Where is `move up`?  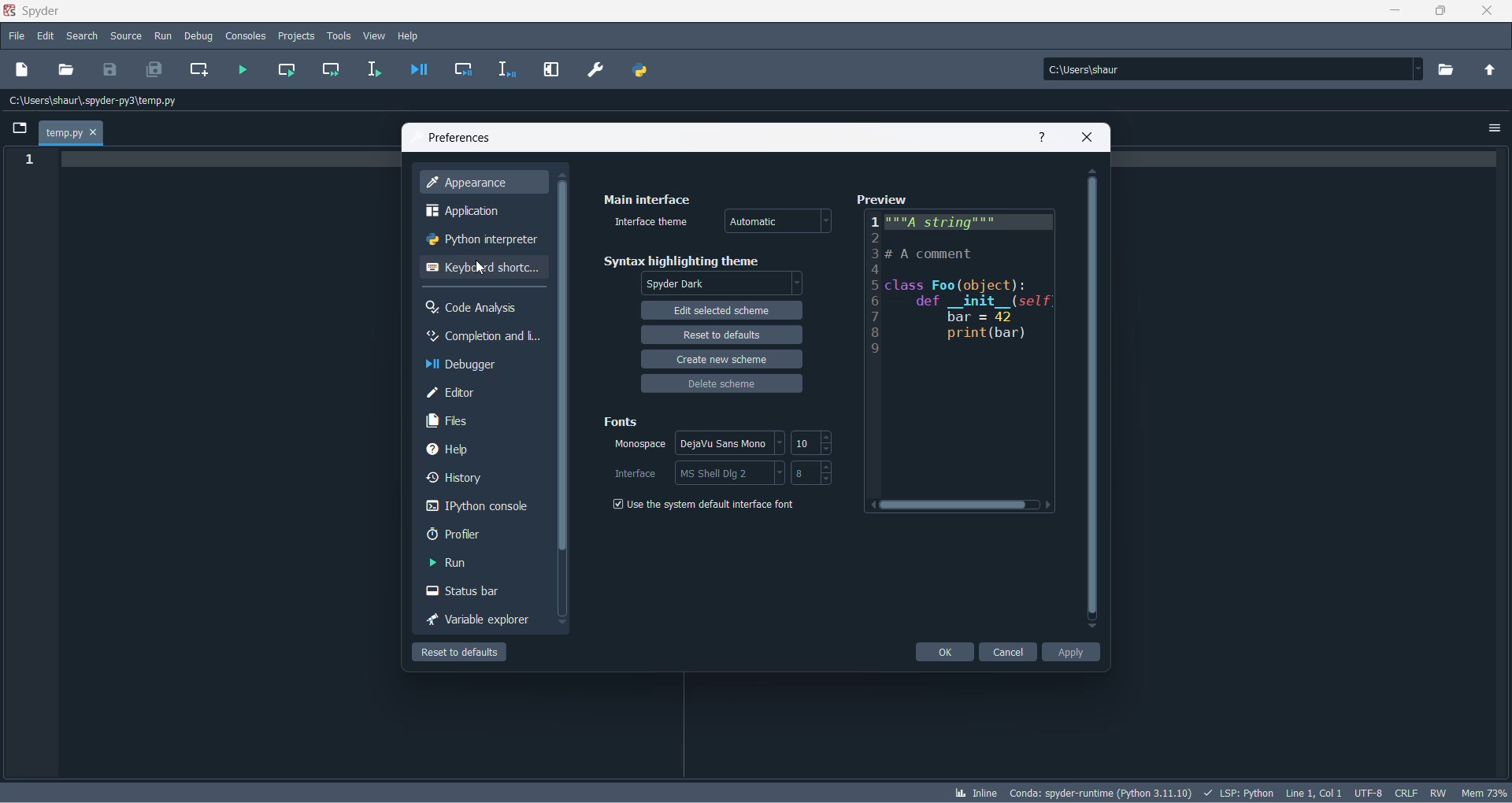
move up is located at coordinates (1093, 171).